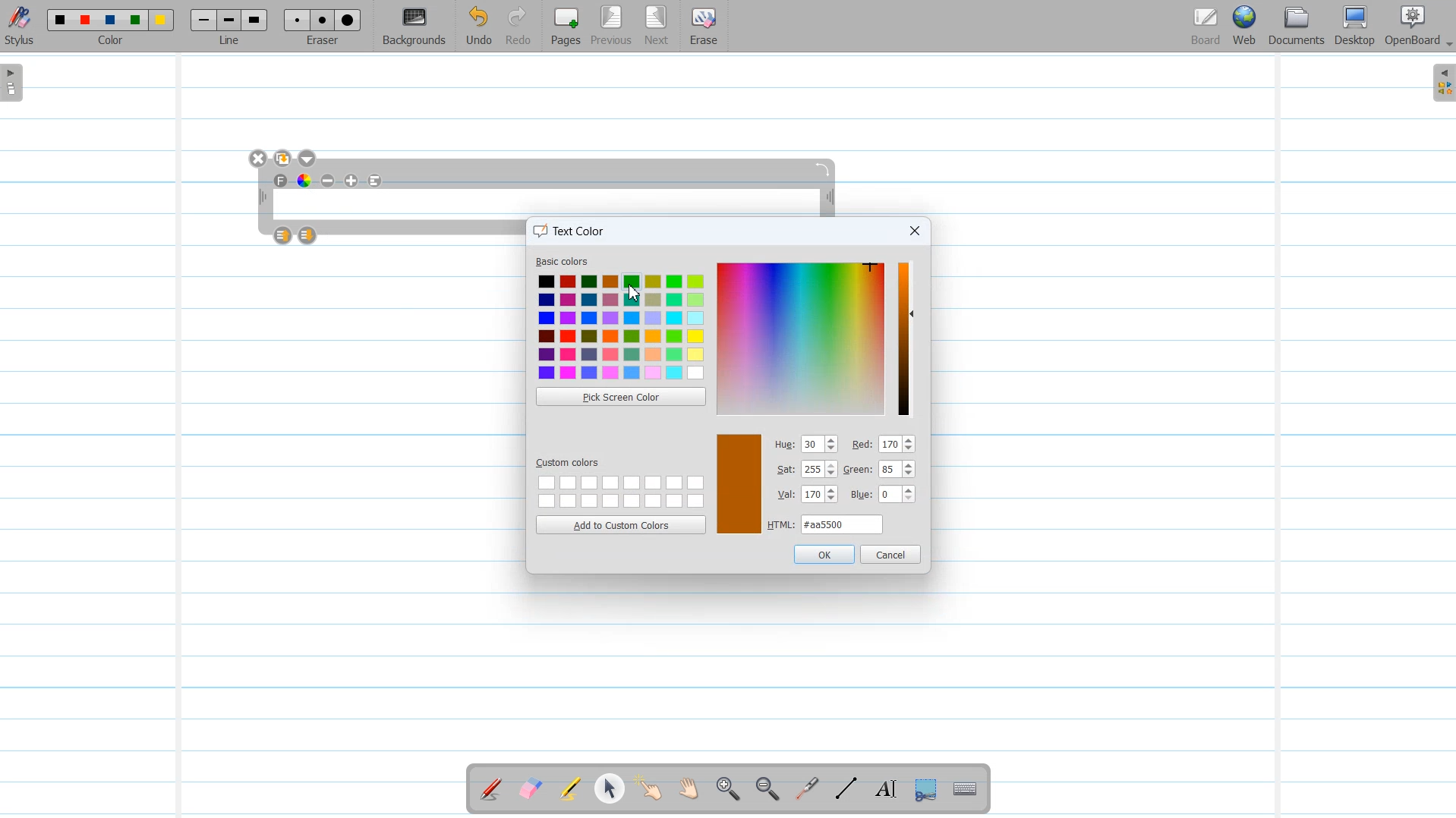 The image size is (1456, 818). I want to click on Sat adjuster, so click(806, 470).